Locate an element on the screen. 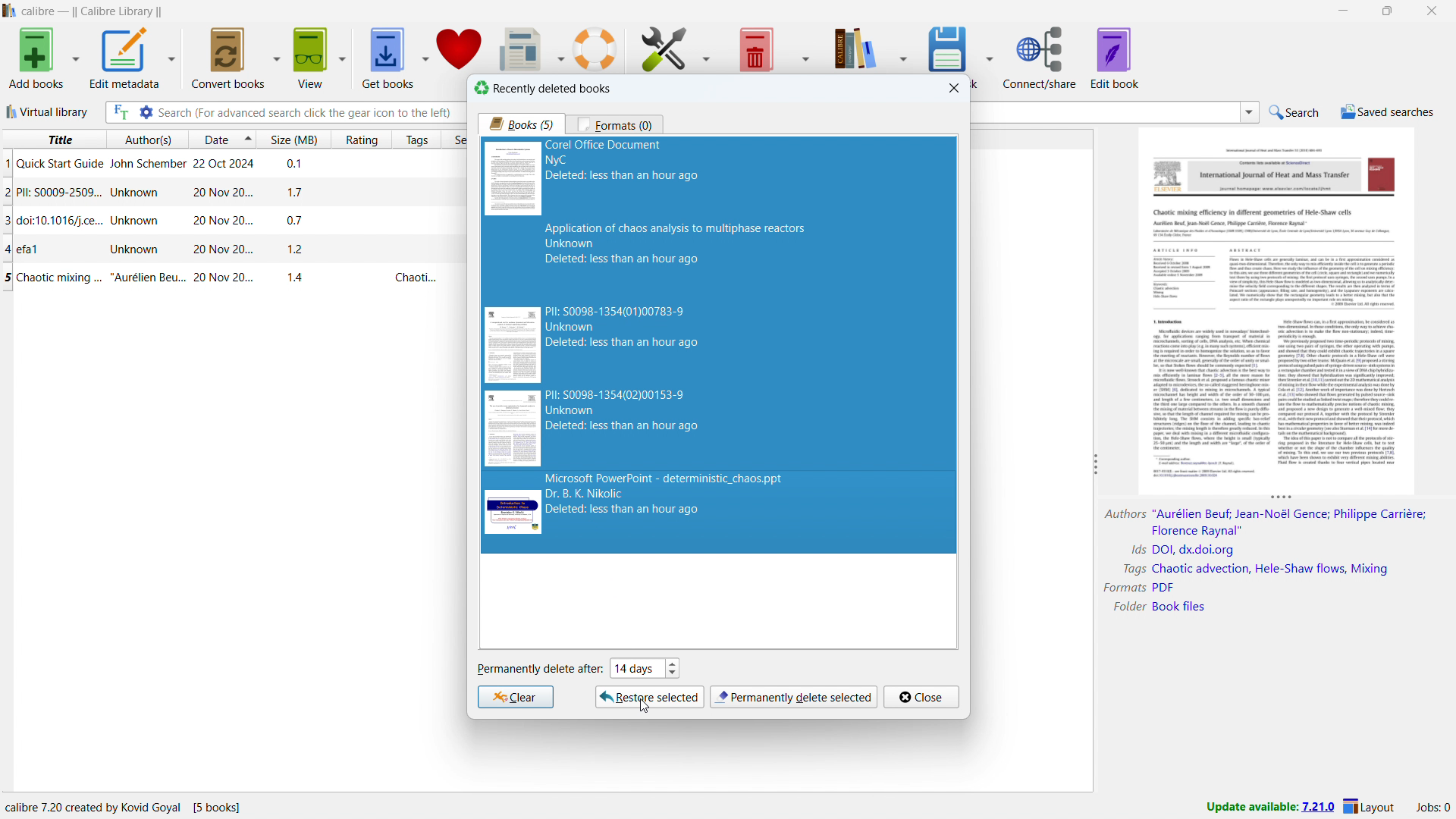 The image size is (1456, 819). close is located at coordinates (1430, 11).